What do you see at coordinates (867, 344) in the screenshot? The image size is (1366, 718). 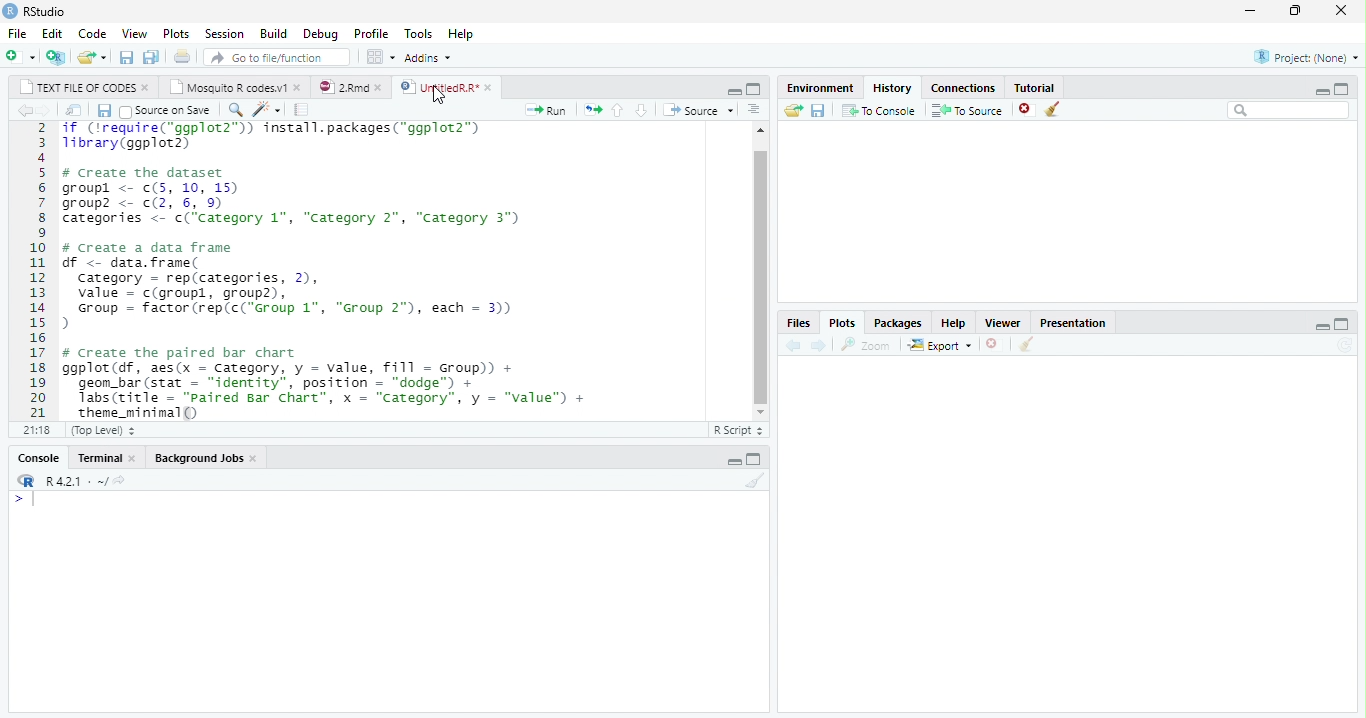 I see `zoom` at bounding box center [867, 344].